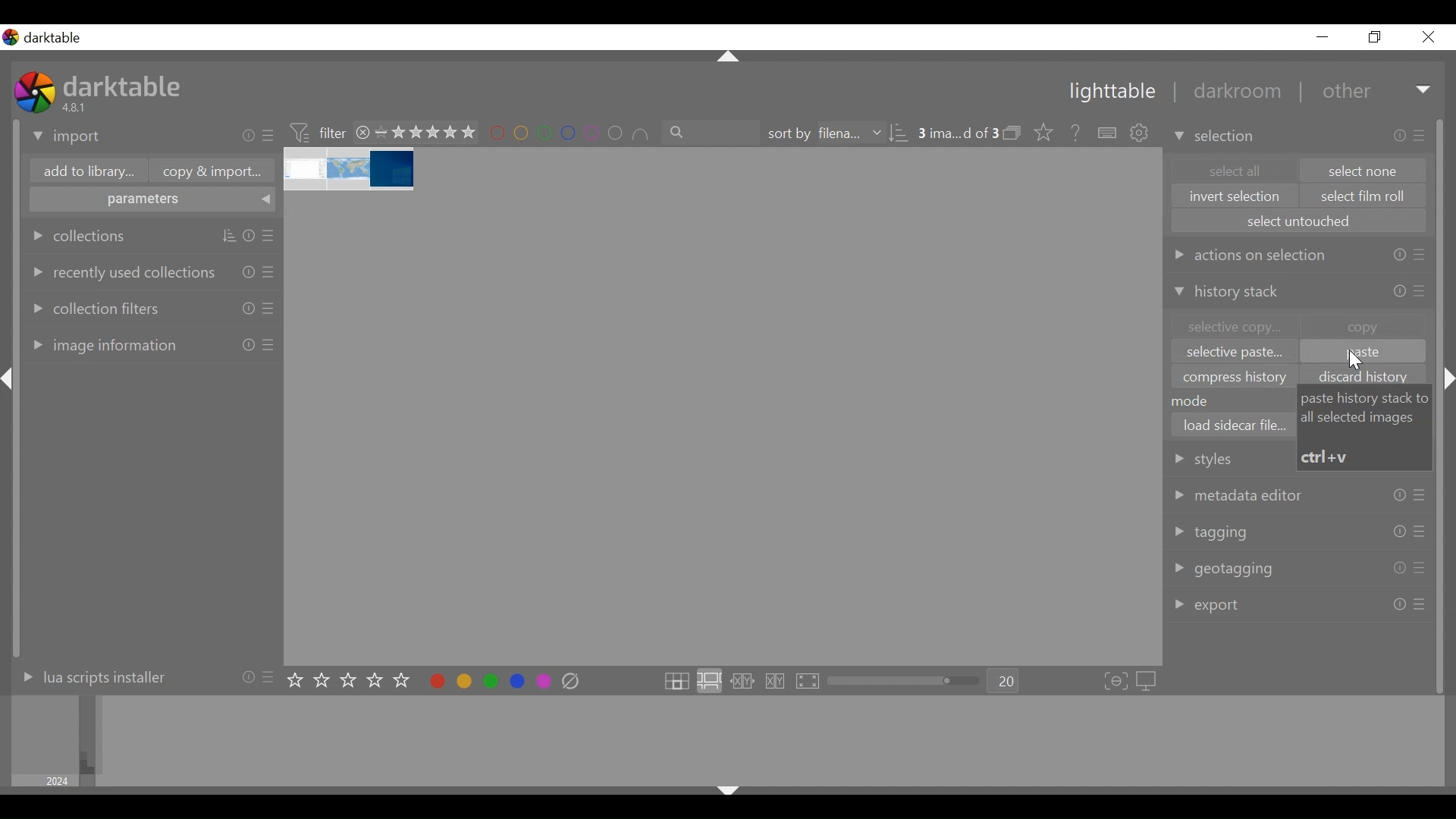  What do you see at coordinates (58, 38) in the screenshot?
I see `darktable` at bounding box center [58, 38].